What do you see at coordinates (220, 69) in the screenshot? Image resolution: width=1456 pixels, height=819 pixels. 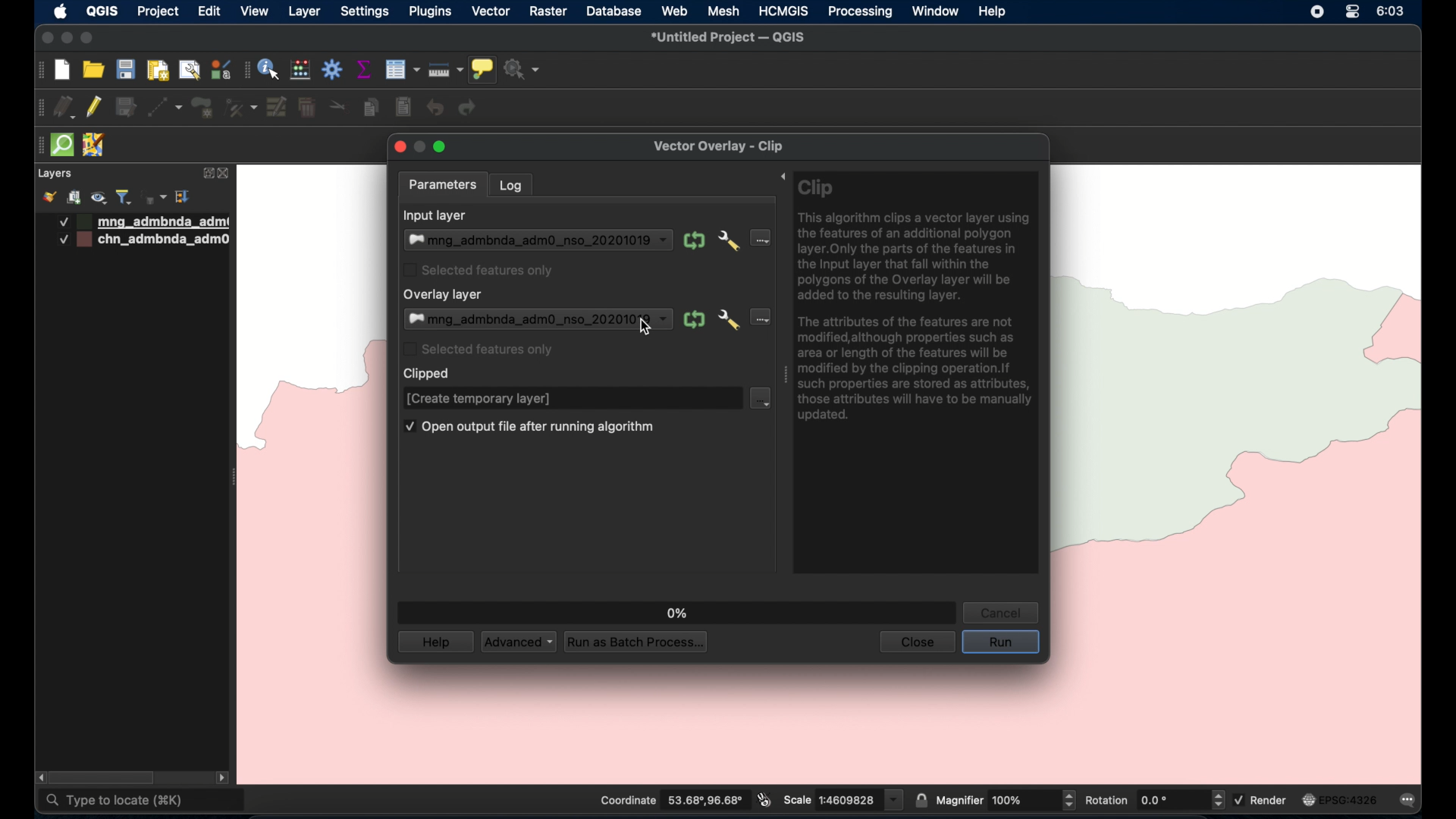 I see `styling manager` at bounding box center [220, 69].